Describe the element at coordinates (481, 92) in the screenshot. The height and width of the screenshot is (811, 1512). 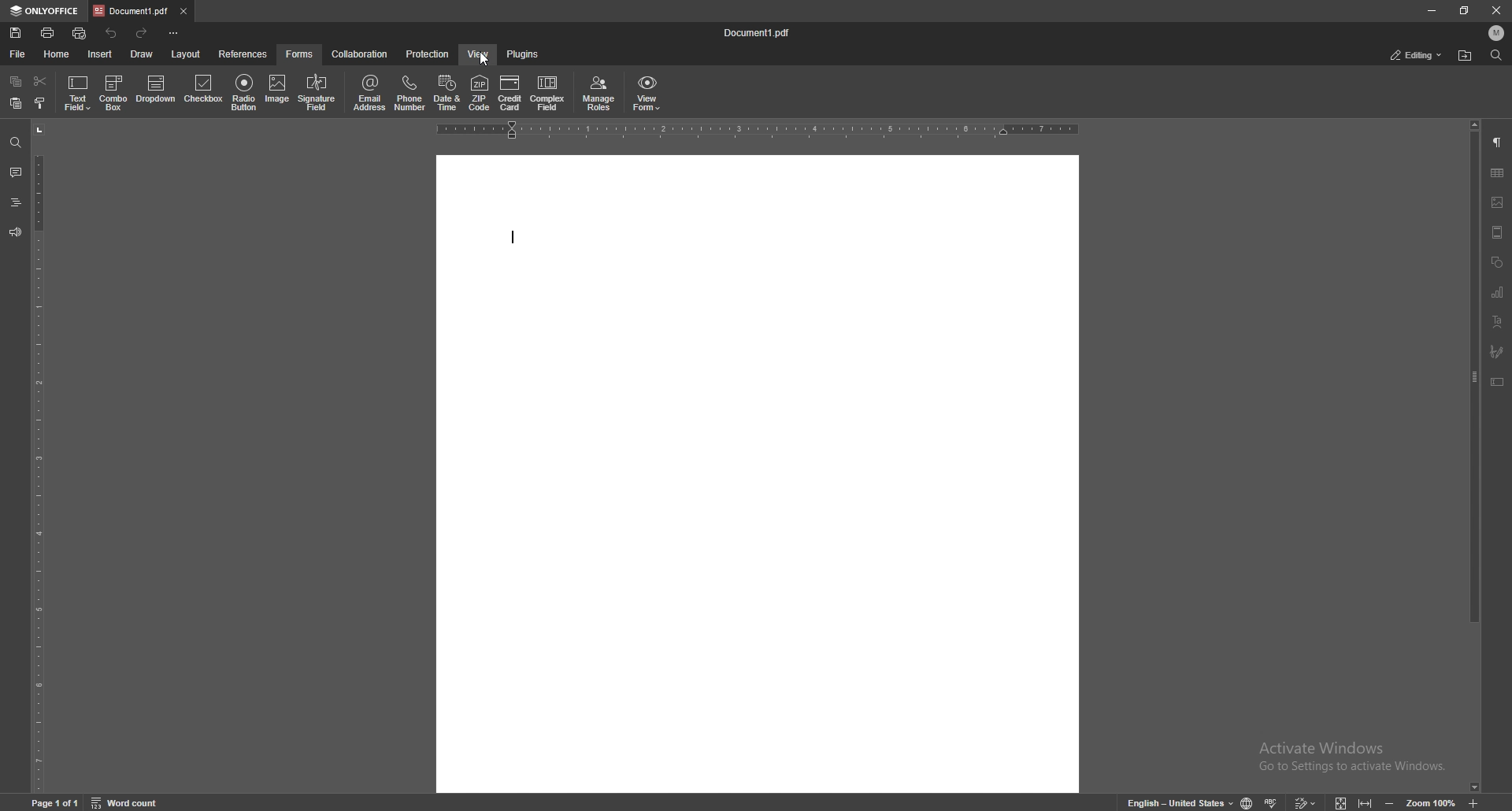
I see `zip code` at that location.